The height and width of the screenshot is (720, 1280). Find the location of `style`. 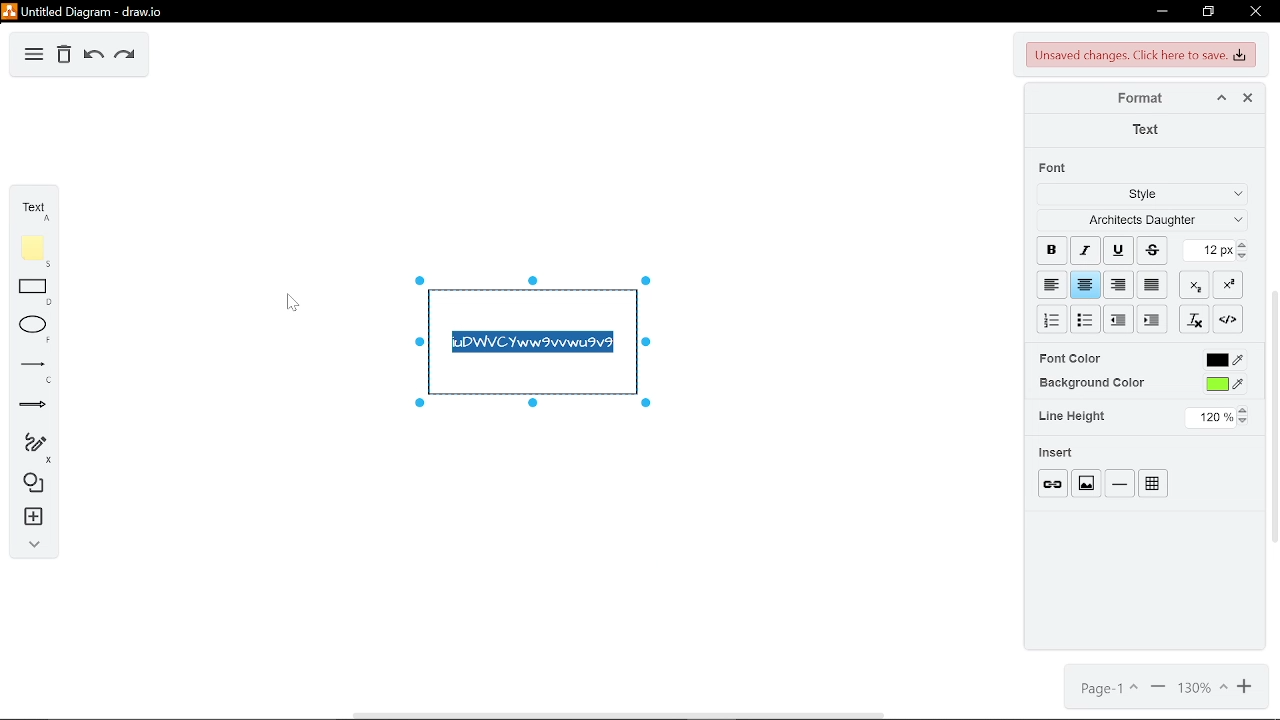

style is located at coordinates (1140, 197).